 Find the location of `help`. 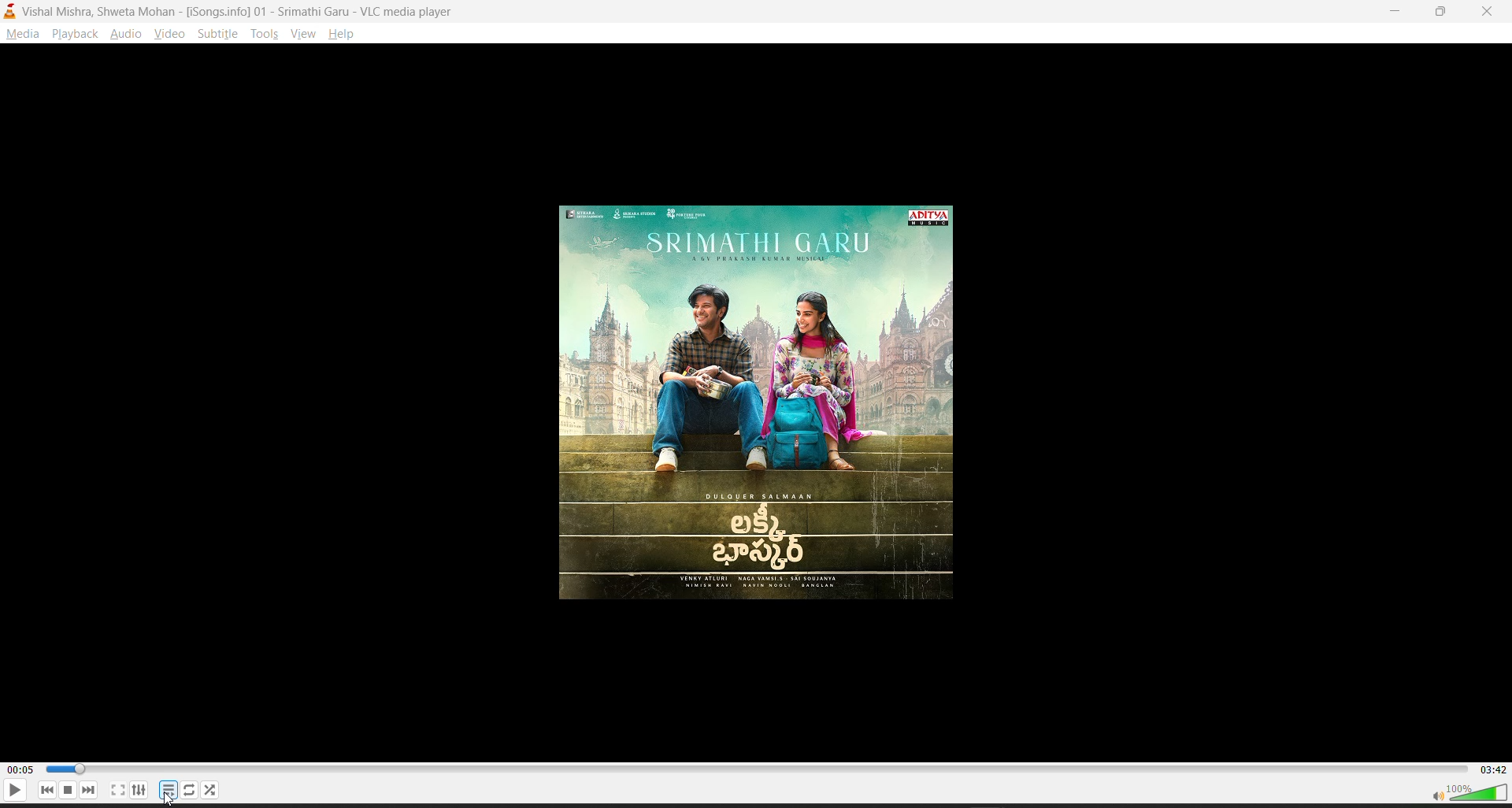

help is located at coordinates (347, 33).